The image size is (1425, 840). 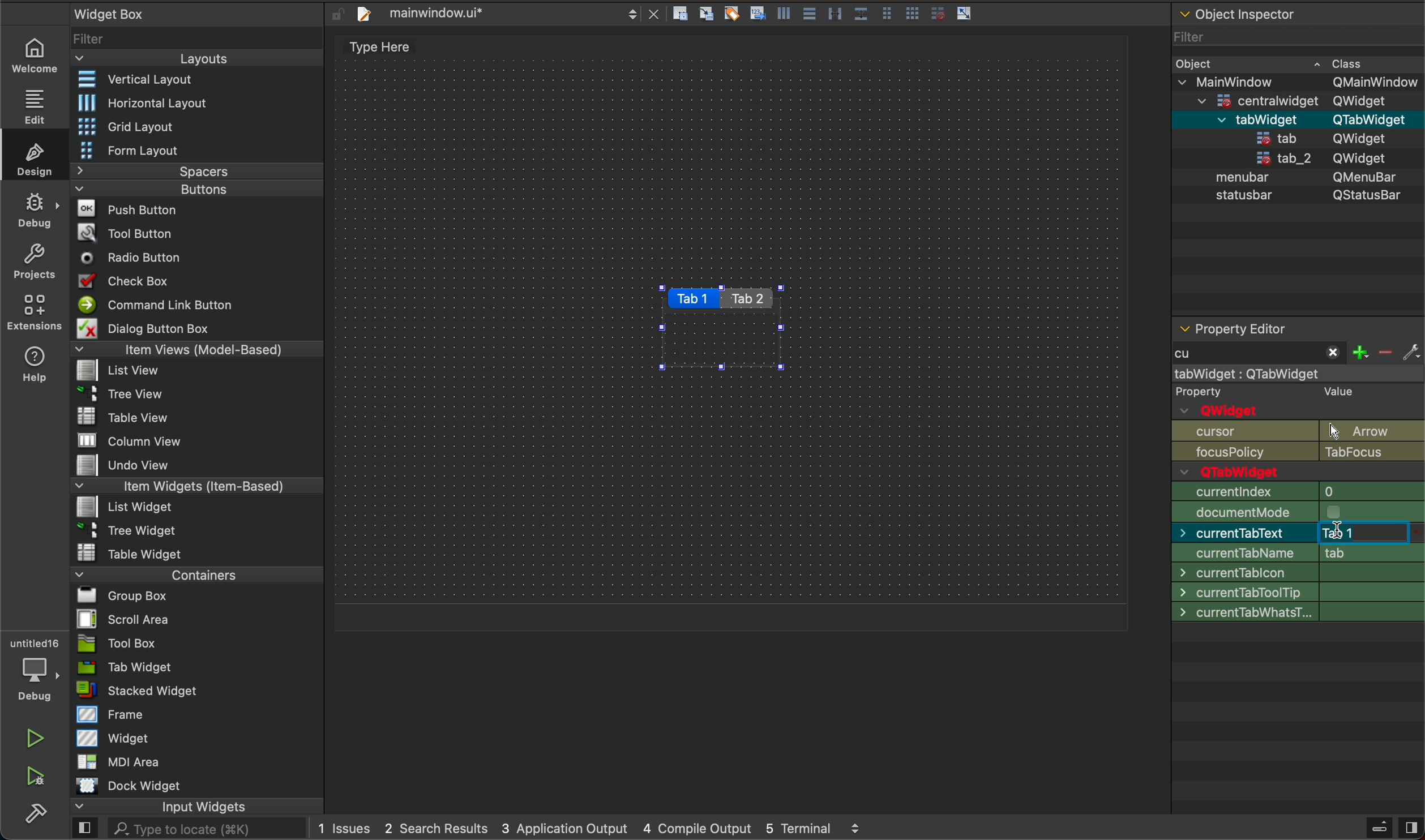 I want to click on Spacers, so click(x=198, y=172).